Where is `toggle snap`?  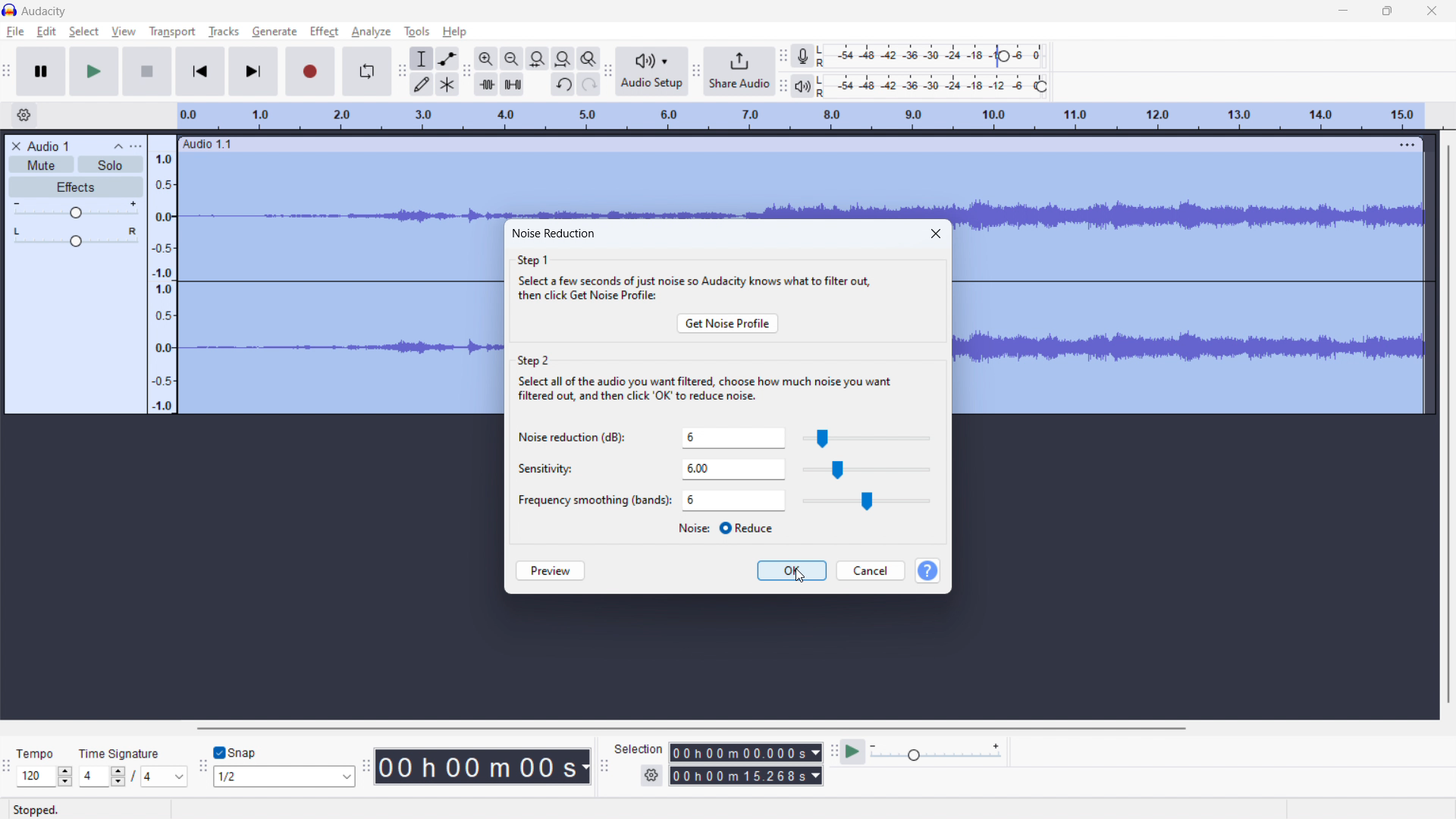 toggle snap is located at coordinates (235, 752).